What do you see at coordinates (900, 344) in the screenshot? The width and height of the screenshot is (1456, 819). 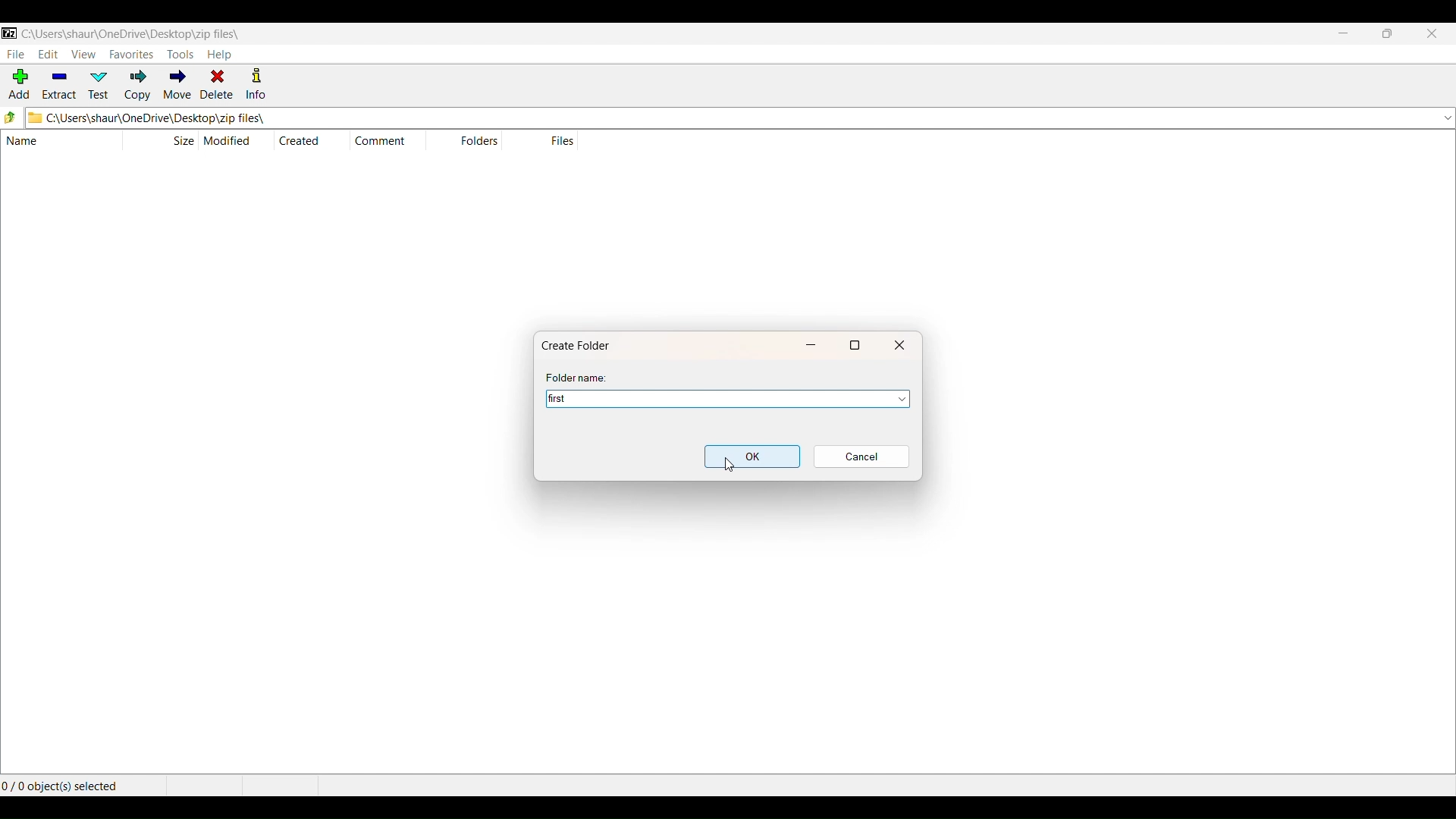 I see `close ` at bounding box center [900, 344].